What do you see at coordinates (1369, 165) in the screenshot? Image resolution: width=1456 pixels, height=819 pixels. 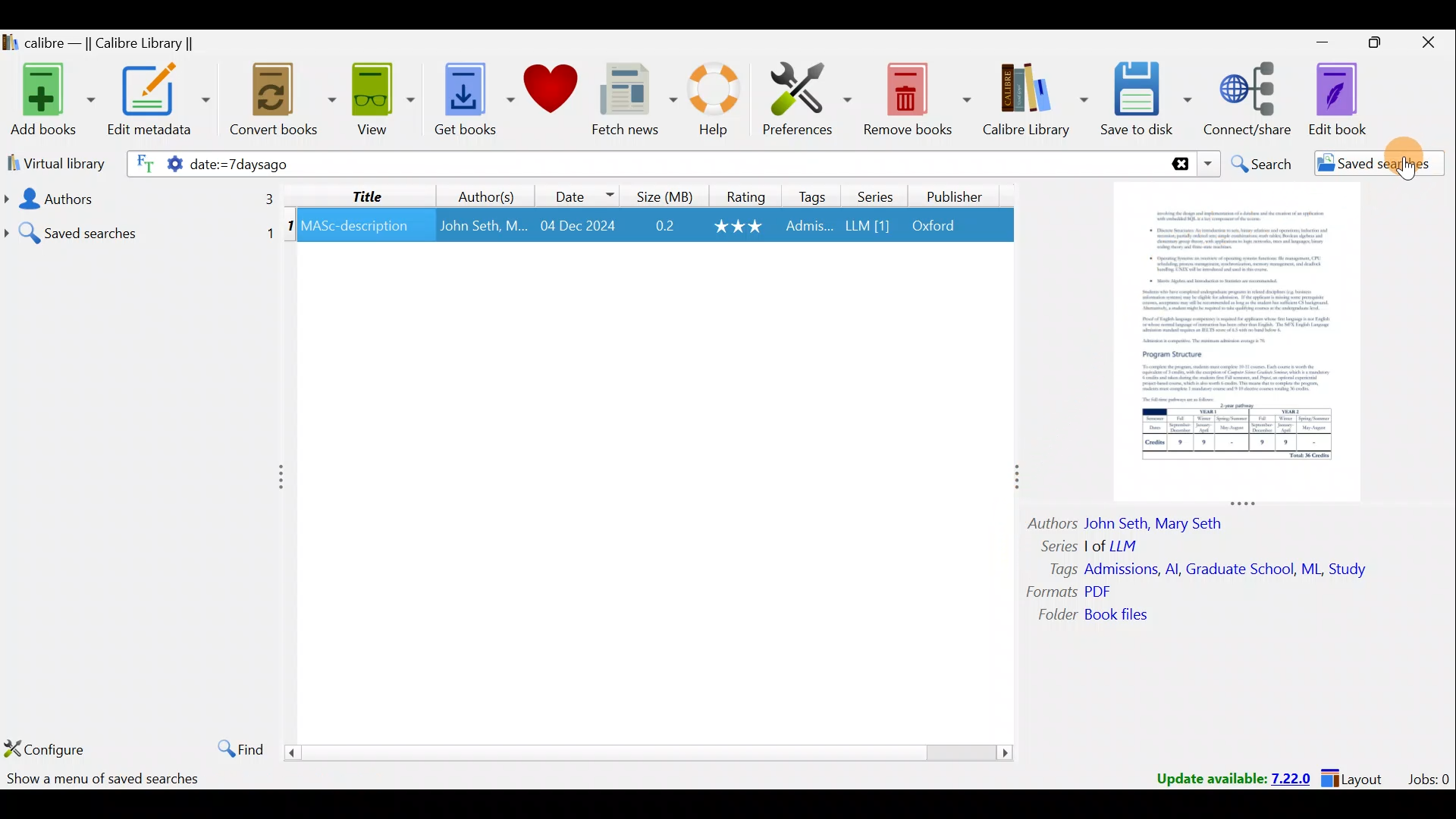 I see `Saved searches` at bounding box center [1369, 165].